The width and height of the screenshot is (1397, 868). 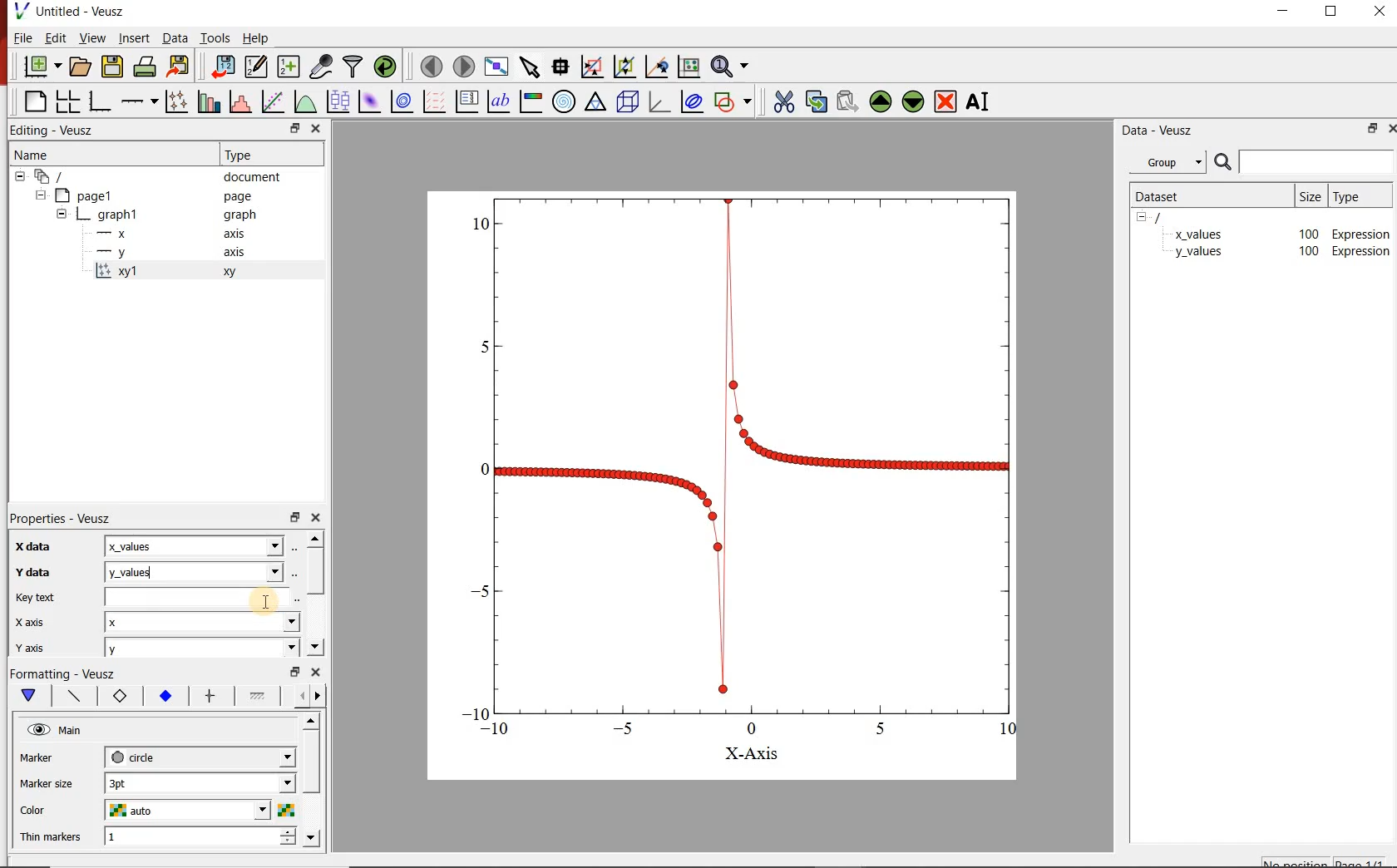 I want to click on data-veusz, so click(x=1158, y=132).